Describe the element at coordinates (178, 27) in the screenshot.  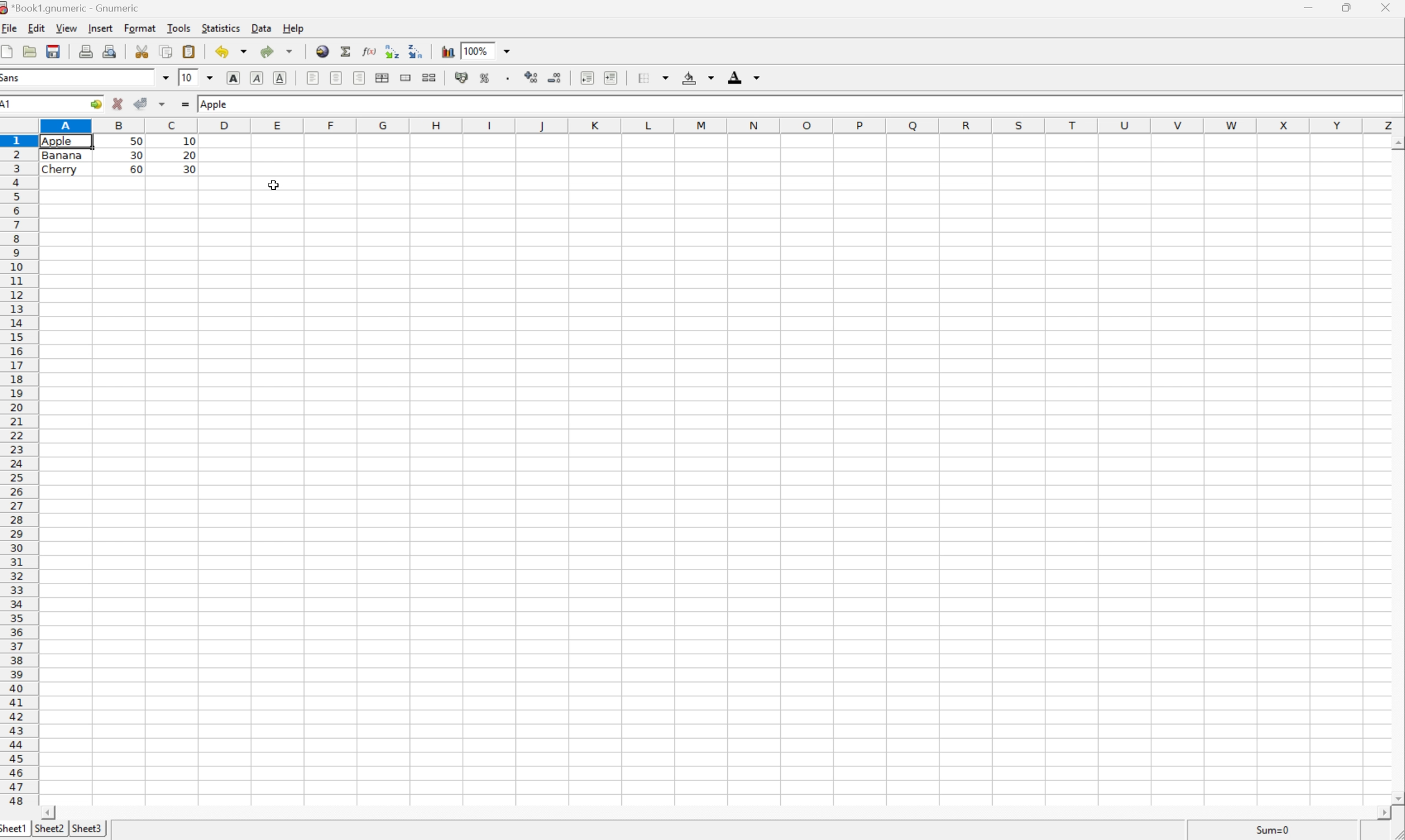
I see `tools` at that location.